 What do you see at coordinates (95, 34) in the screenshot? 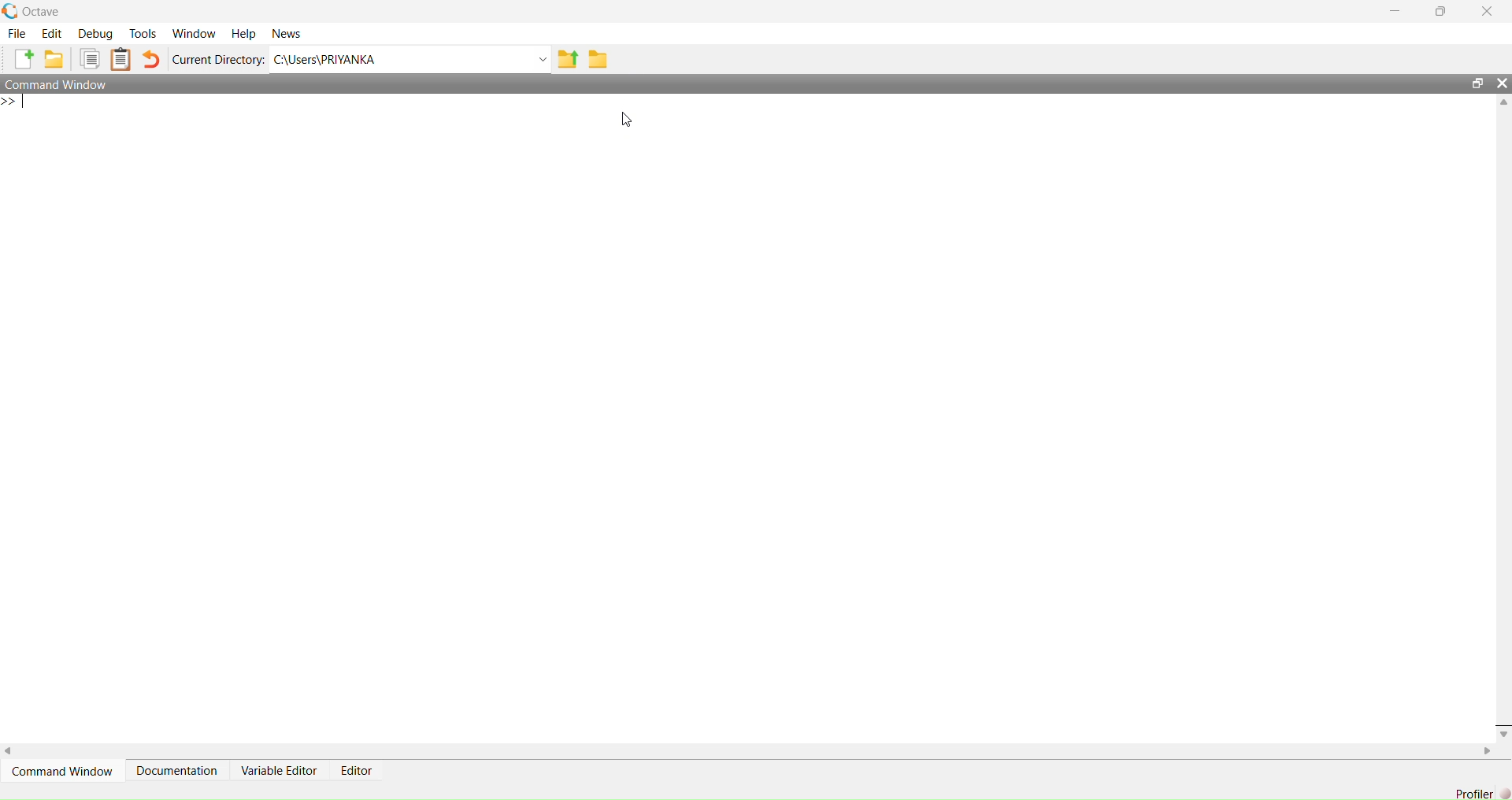
I see `Debug` at bounding box center [95, 34].